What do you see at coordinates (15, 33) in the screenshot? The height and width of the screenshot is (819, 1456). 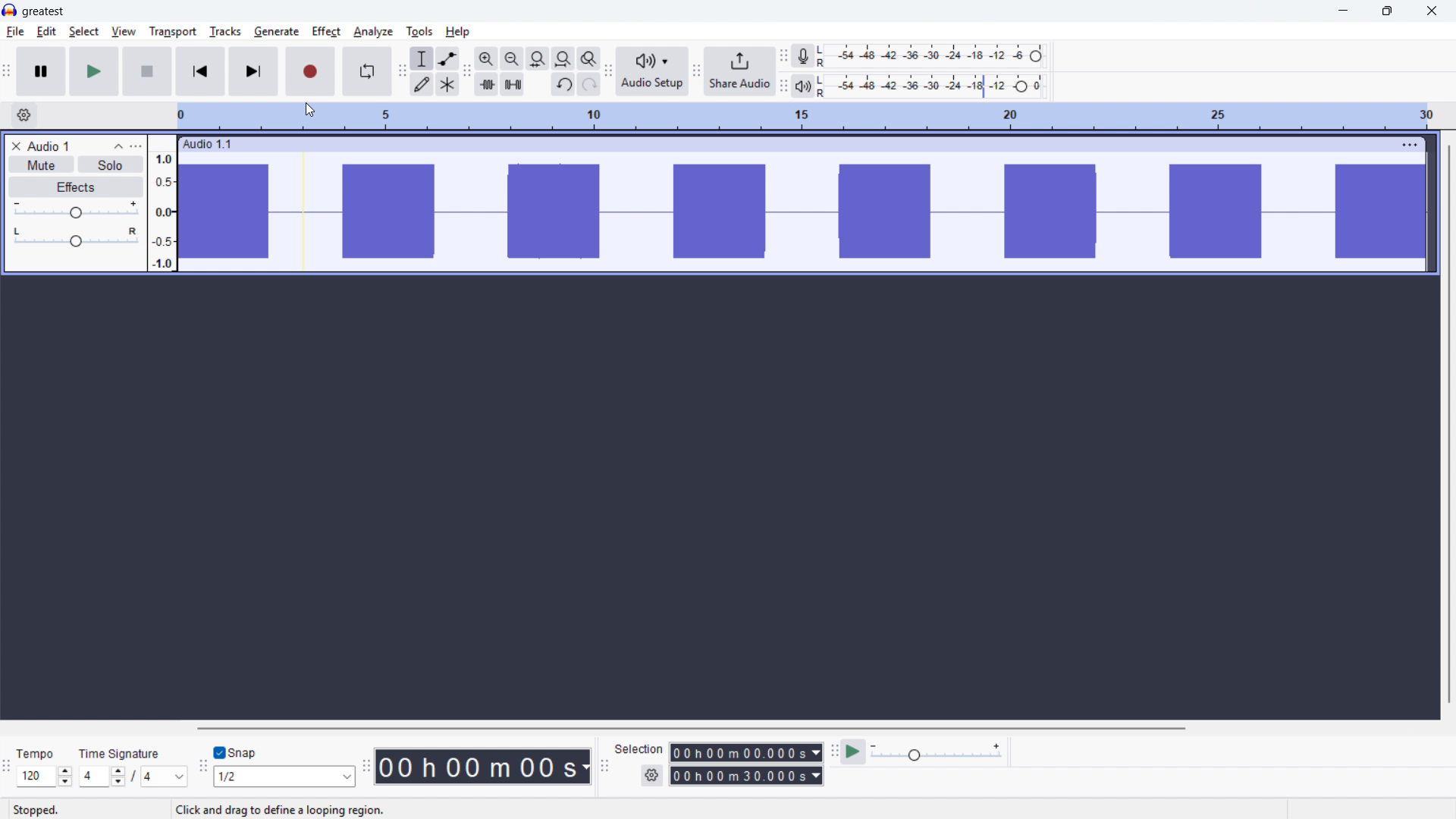 I see `file` at bounding box center [15, 33].